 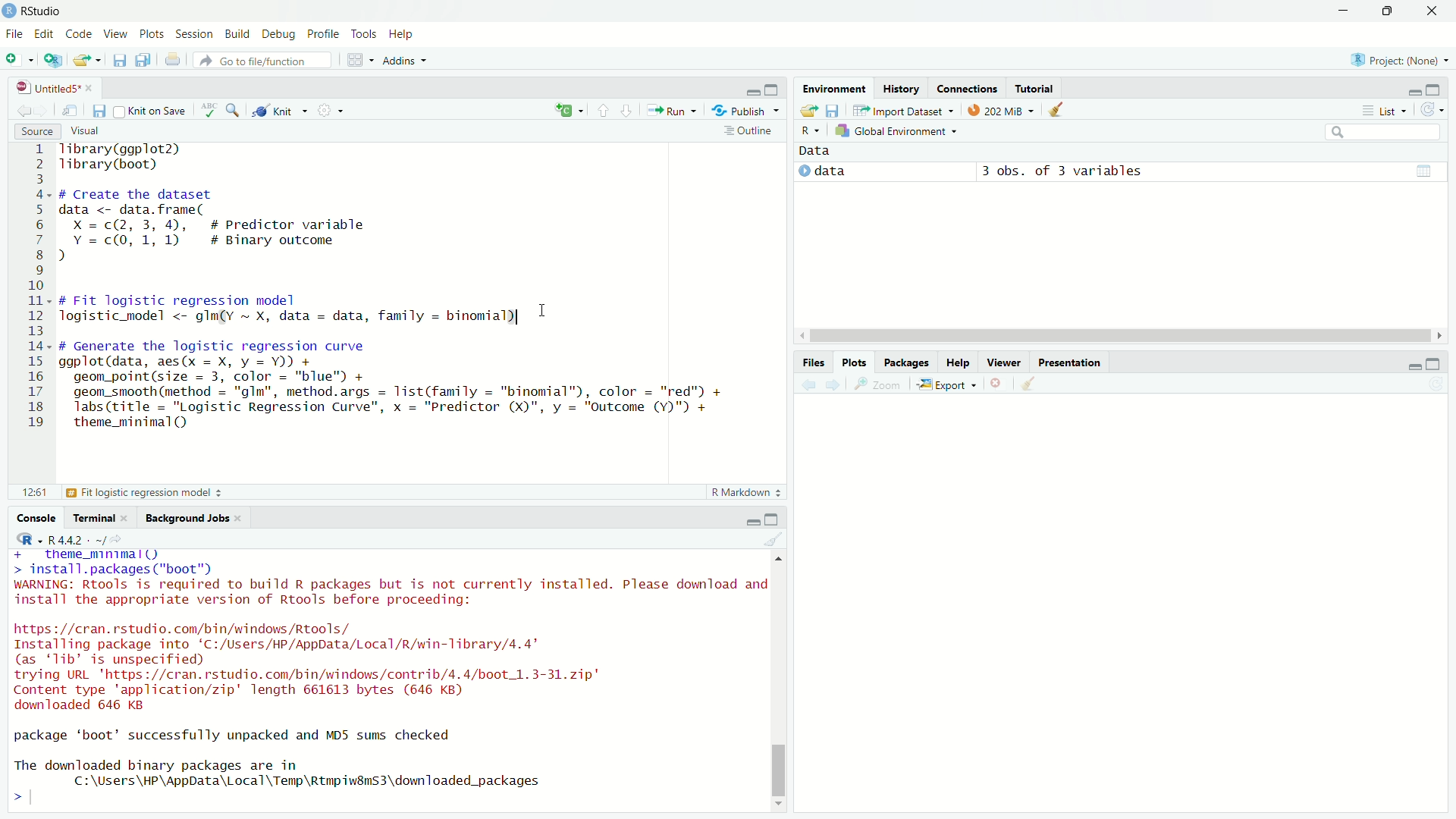 What do you see at coordinates (753, 521) in the screenshot?
I see `minimize` at bounding box center [753, 521].